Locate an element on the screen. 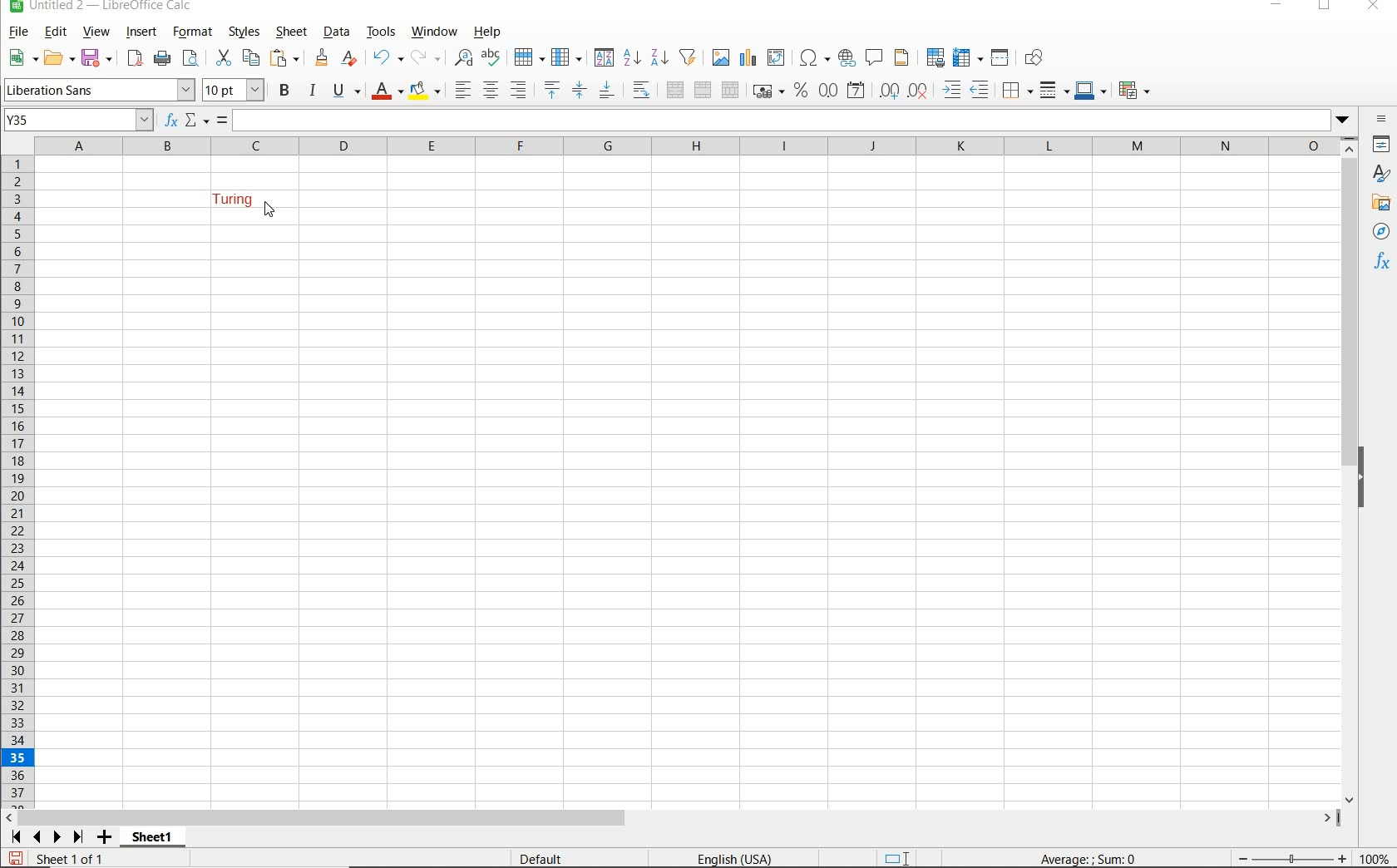  BACKGROUND COLOR is located at coordinates (424, 91).